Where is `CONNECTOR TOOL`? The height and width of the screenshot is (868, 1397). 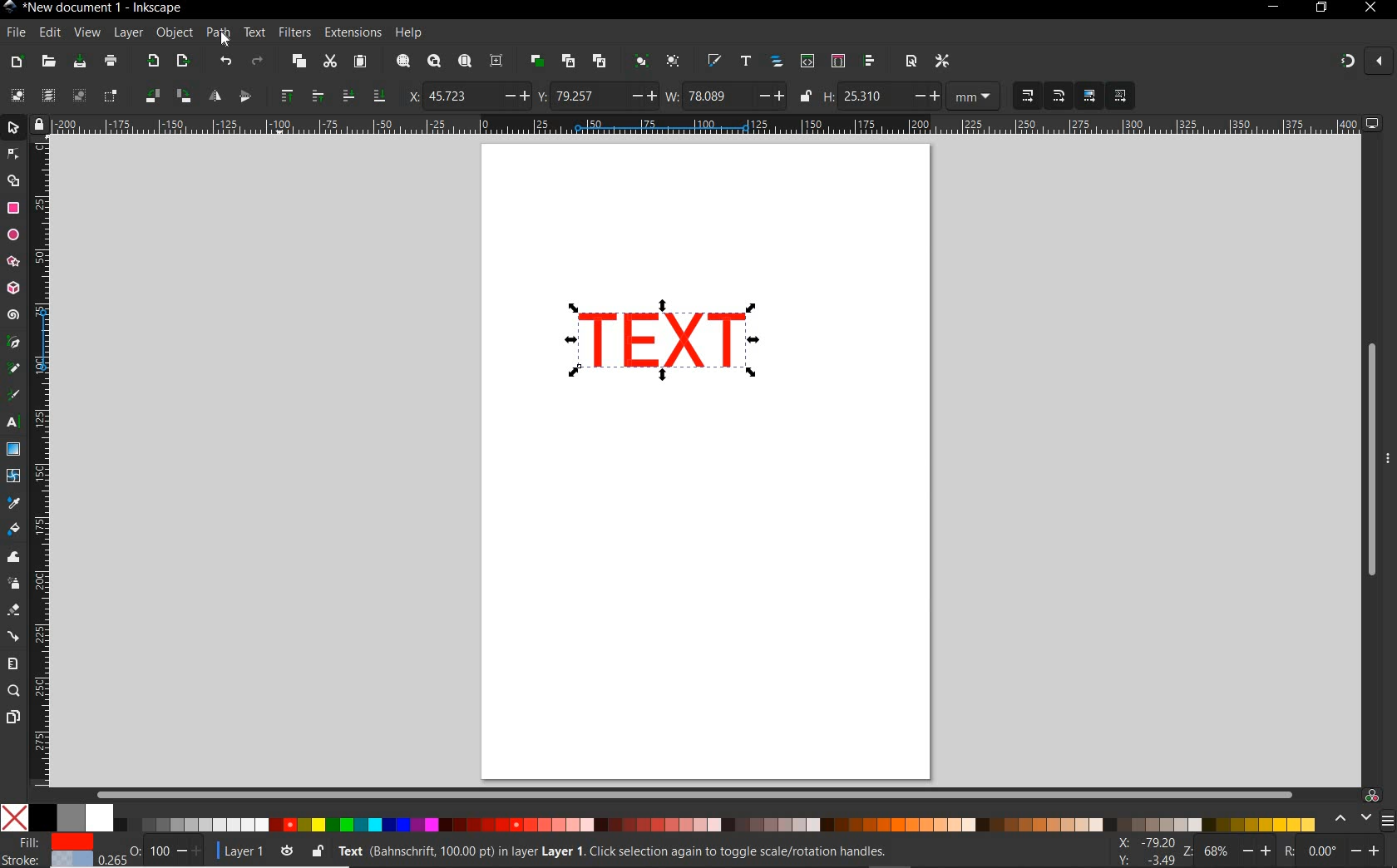
CONNECTOR TOOL is located at coordinates (14, 637).